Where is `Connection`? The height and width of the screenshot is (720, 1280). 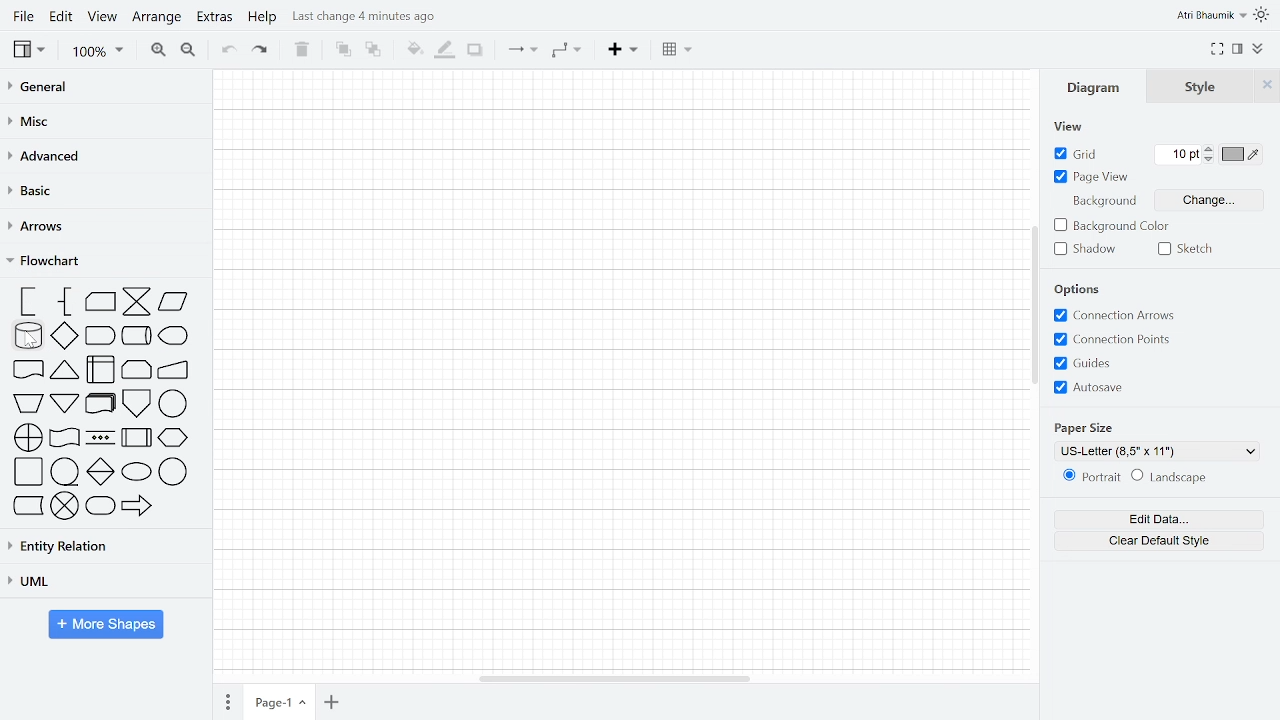 Connection is located at coordinates (522, 51).